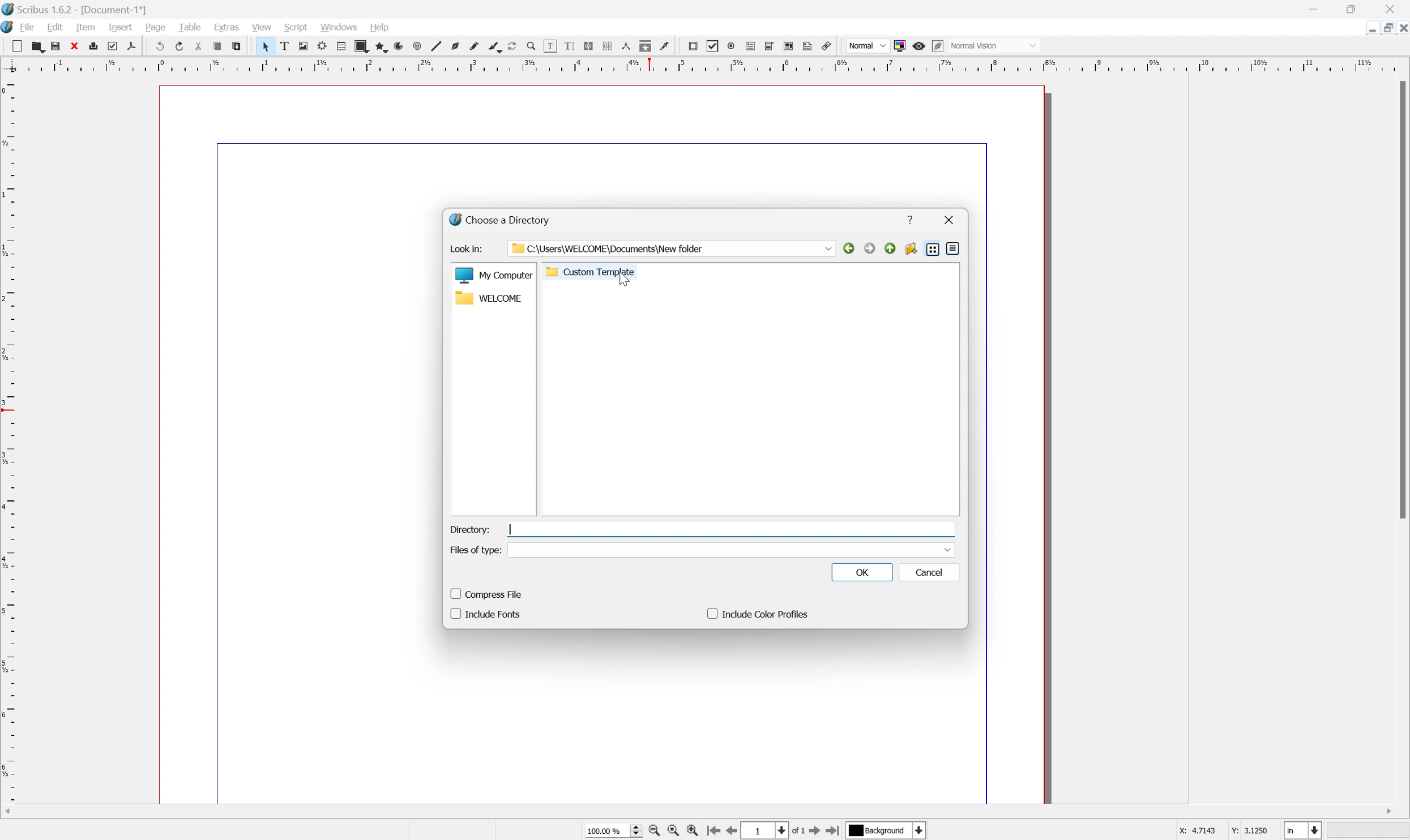 The image size is (1410, 840). What do you see at coordinates (87, 27) in the screenshot?
I see `item` at bounding box center [87, 27].